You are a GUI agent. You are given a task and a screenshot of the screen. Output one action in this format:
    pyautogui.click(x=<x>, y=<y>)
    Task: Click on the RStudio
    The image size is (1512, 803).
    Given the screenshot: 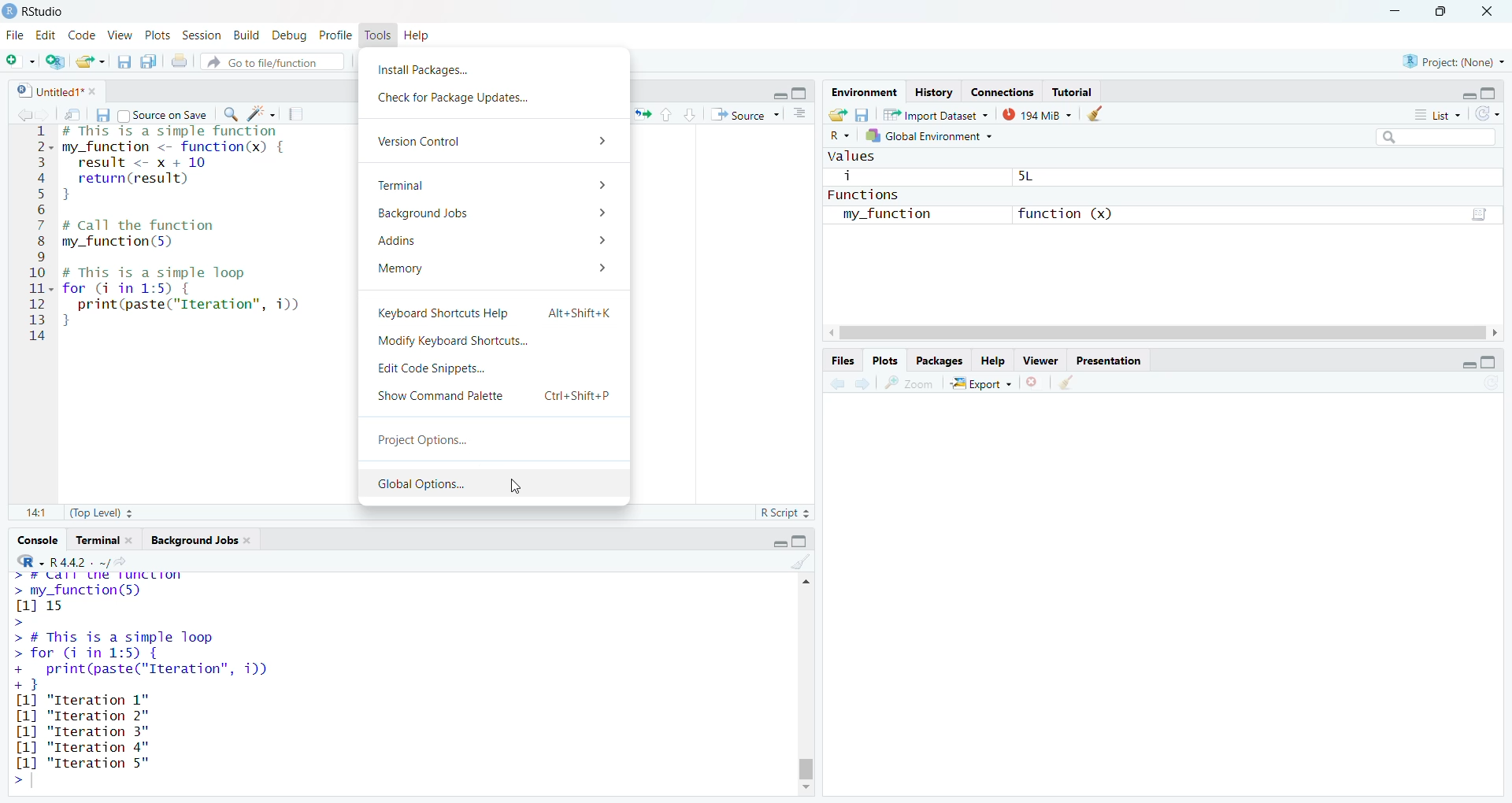 What is the action you would take?
    pyautogui.click(x=51, y=9)
    